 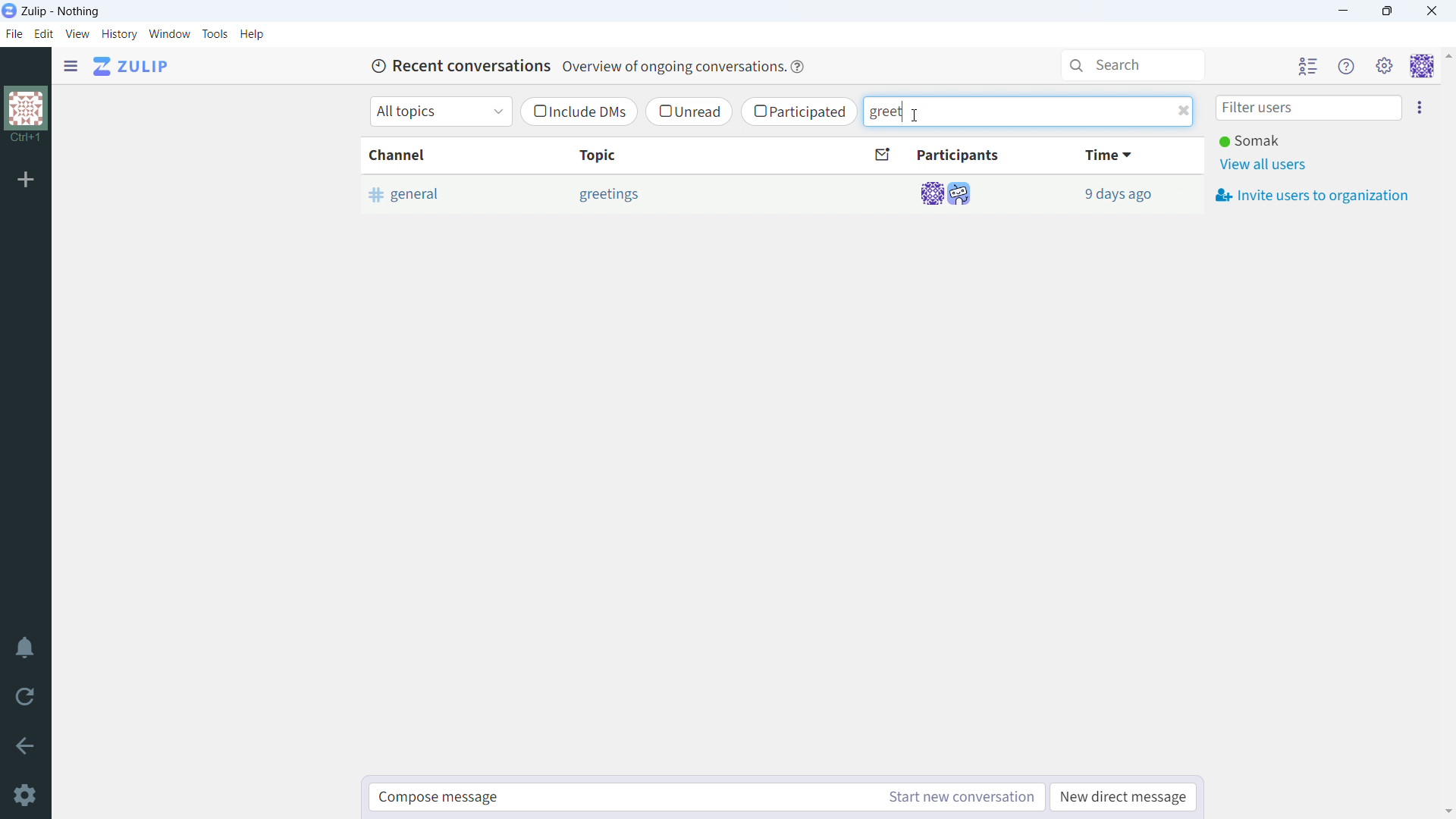 What do you see at coordinates (24, 796) in the screenshot?
I see `settings` at bounding box center [24, 796].